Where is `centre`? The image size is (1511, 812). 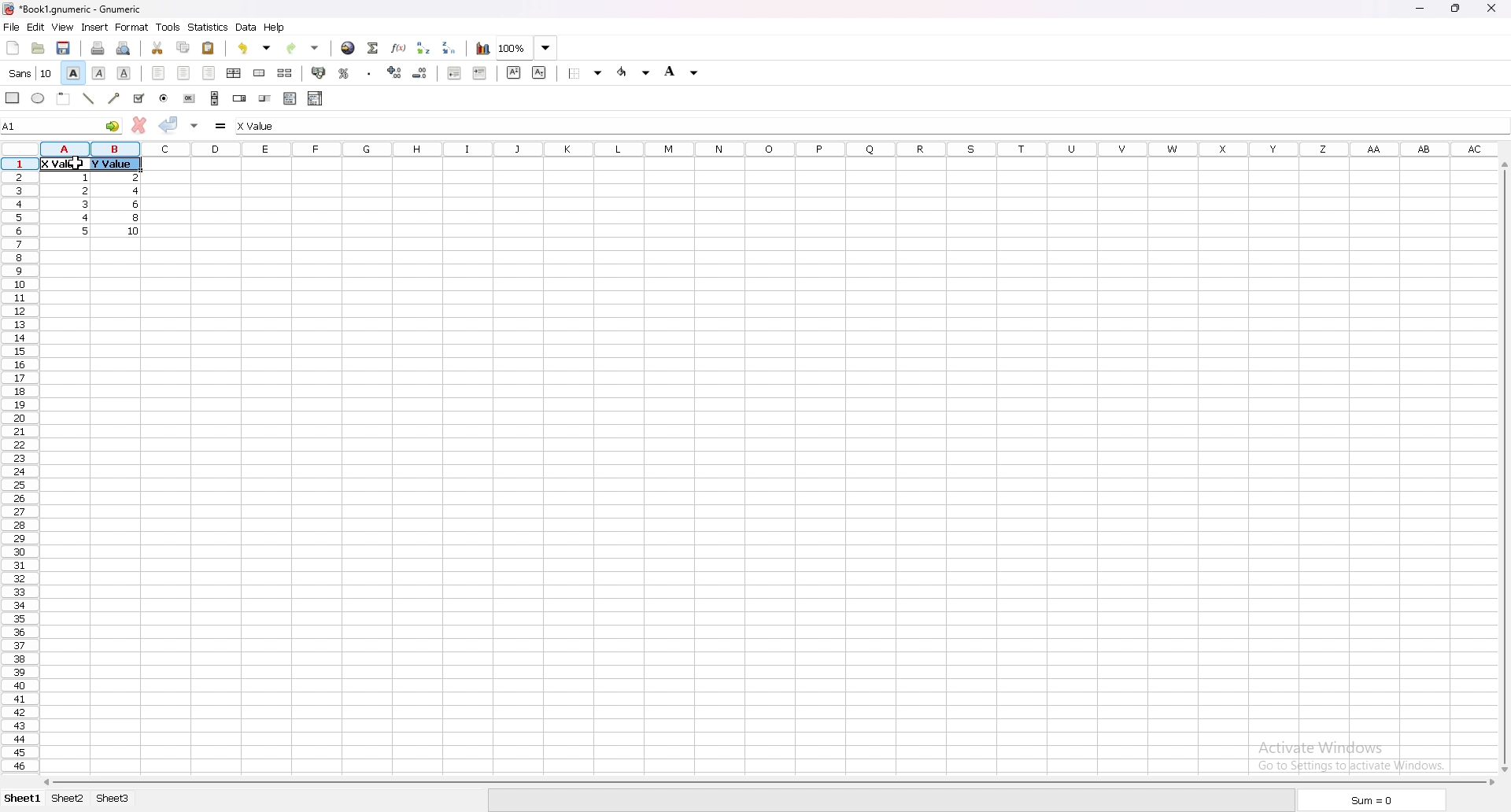 centre is located at coordinates (184, 72).